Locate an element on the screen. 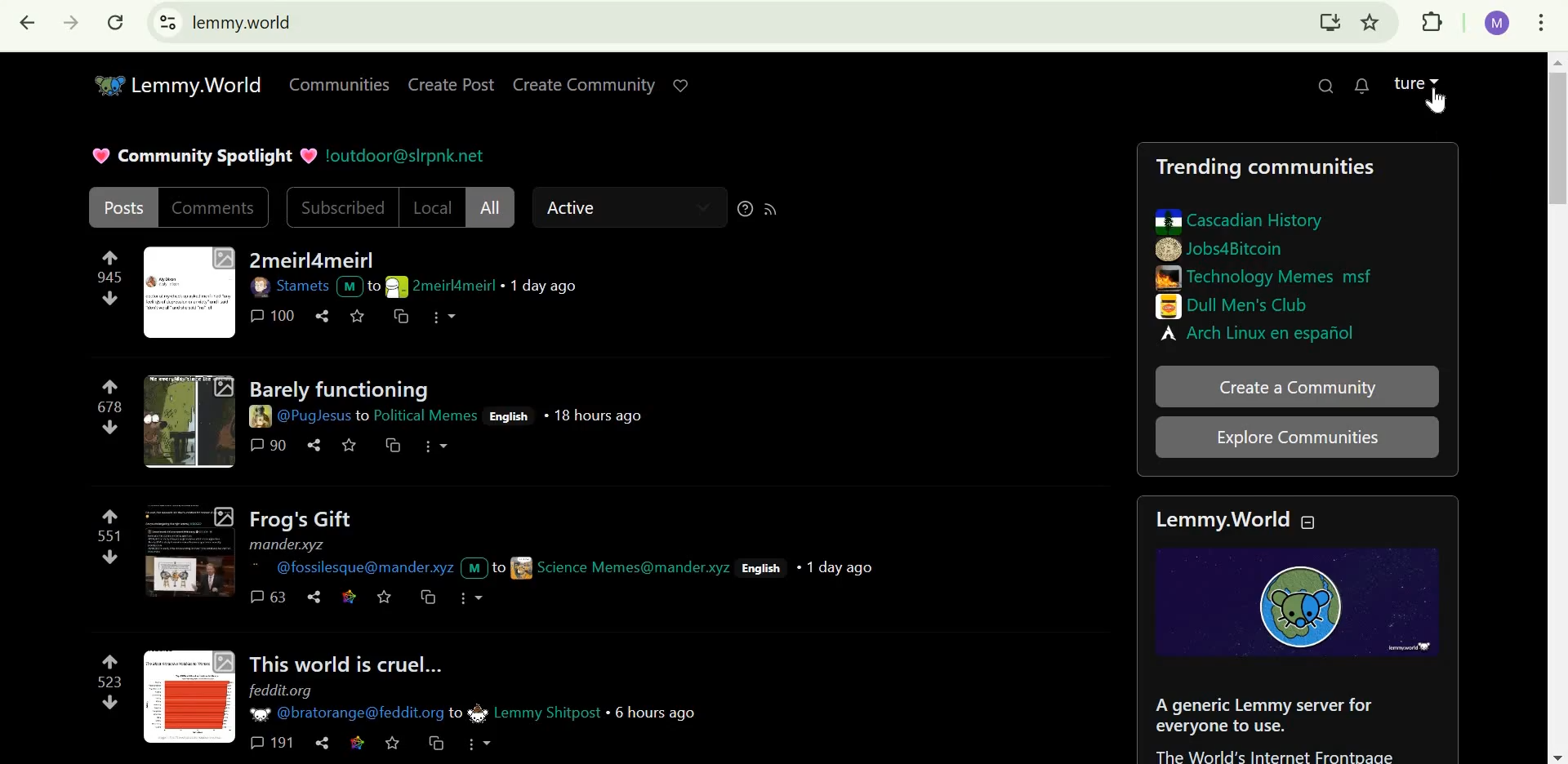 This screenshot has width=1568, height=764. Trending communities is located at coordinates (1264, 168).